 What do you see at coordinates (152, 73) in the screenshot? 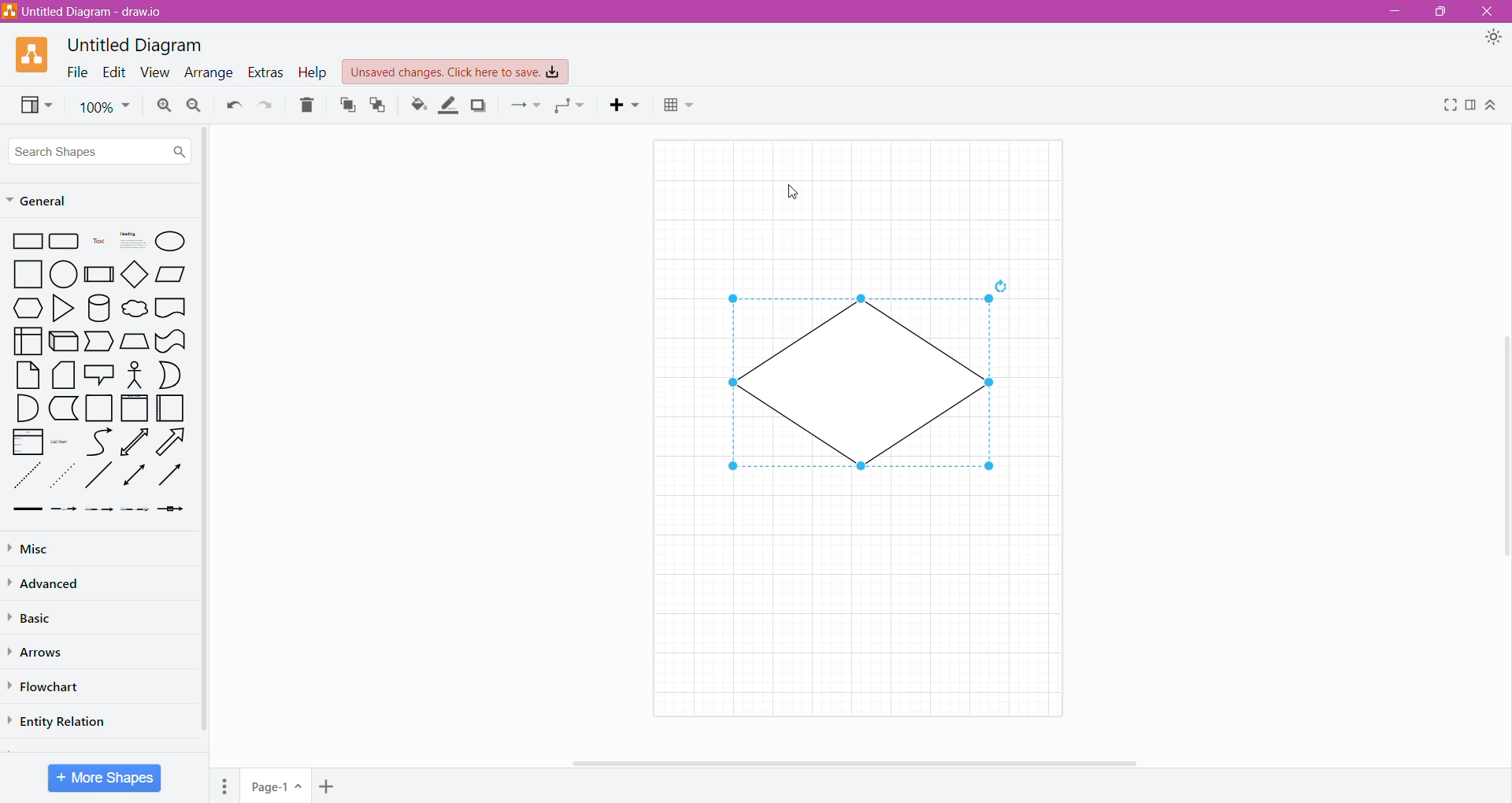
I see `View` at bounding box center [152, 73].